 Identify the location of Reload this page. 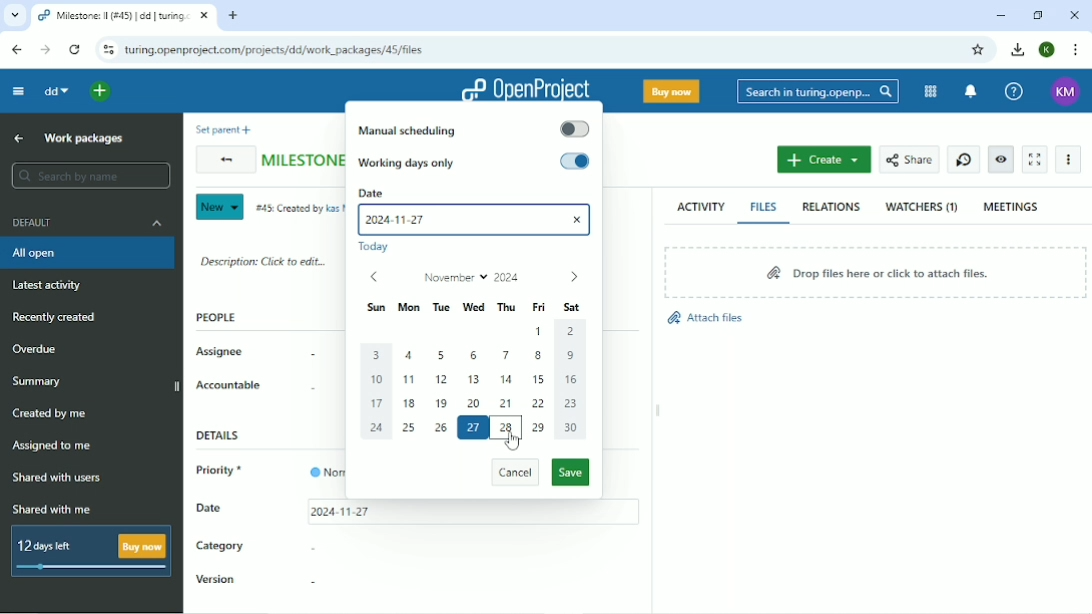
(74, 49).